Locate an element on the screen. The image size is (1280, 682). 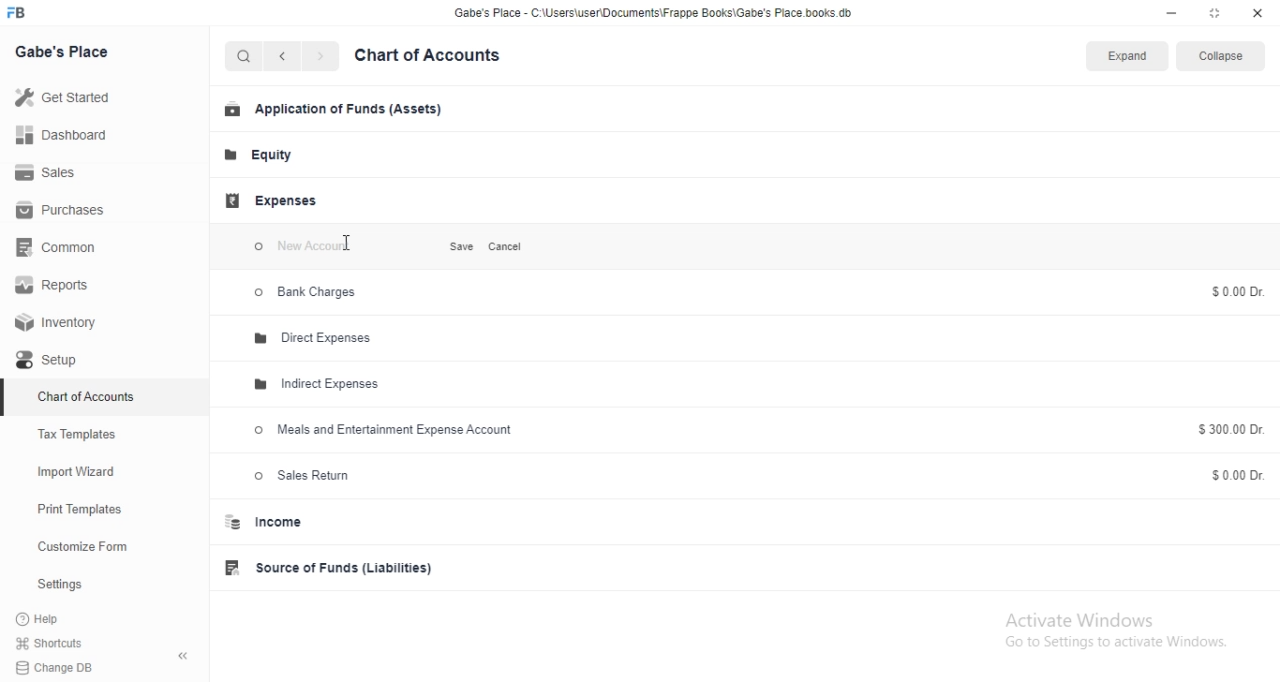
Application of Funds (Assets) is located at coordinates (332, 111).